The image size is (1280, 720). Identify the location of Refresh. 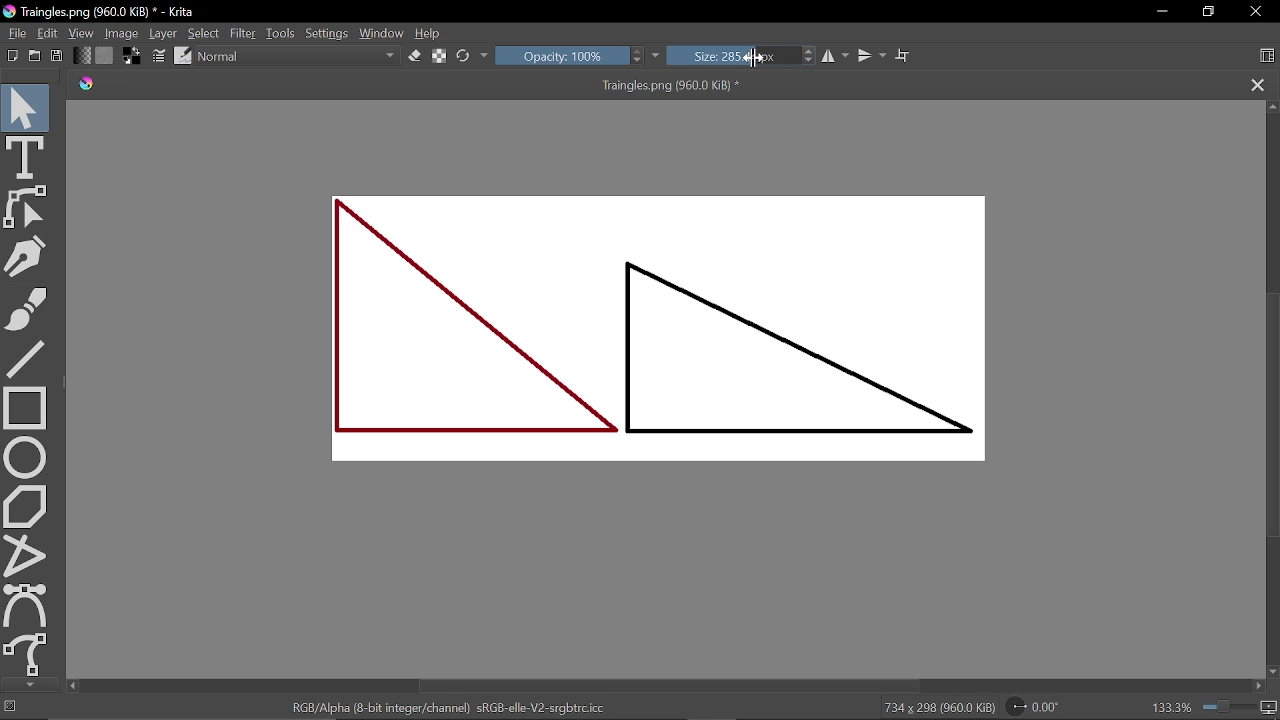
(473, 55).